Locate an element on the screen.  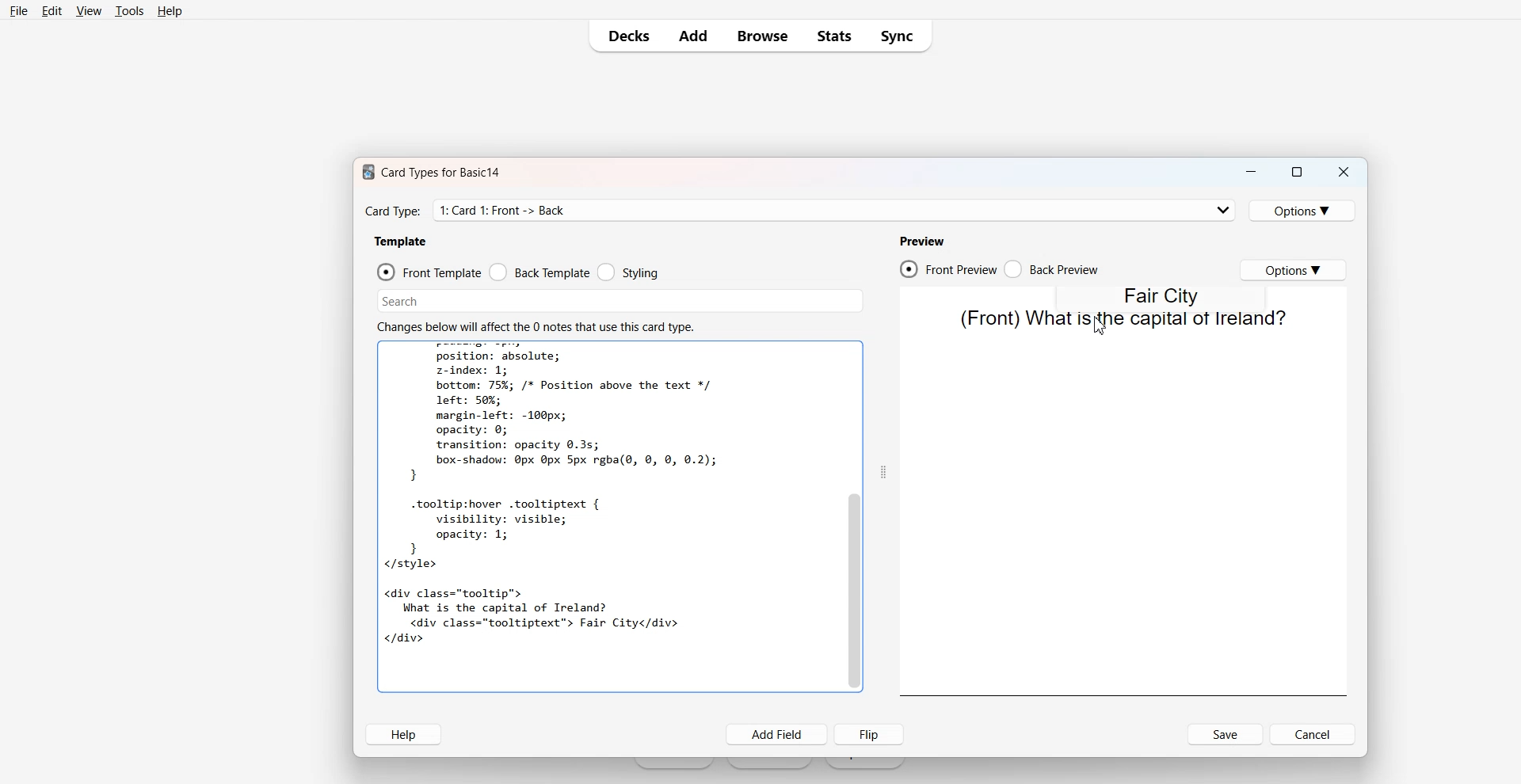
Help is located at coordinates (170, 11).